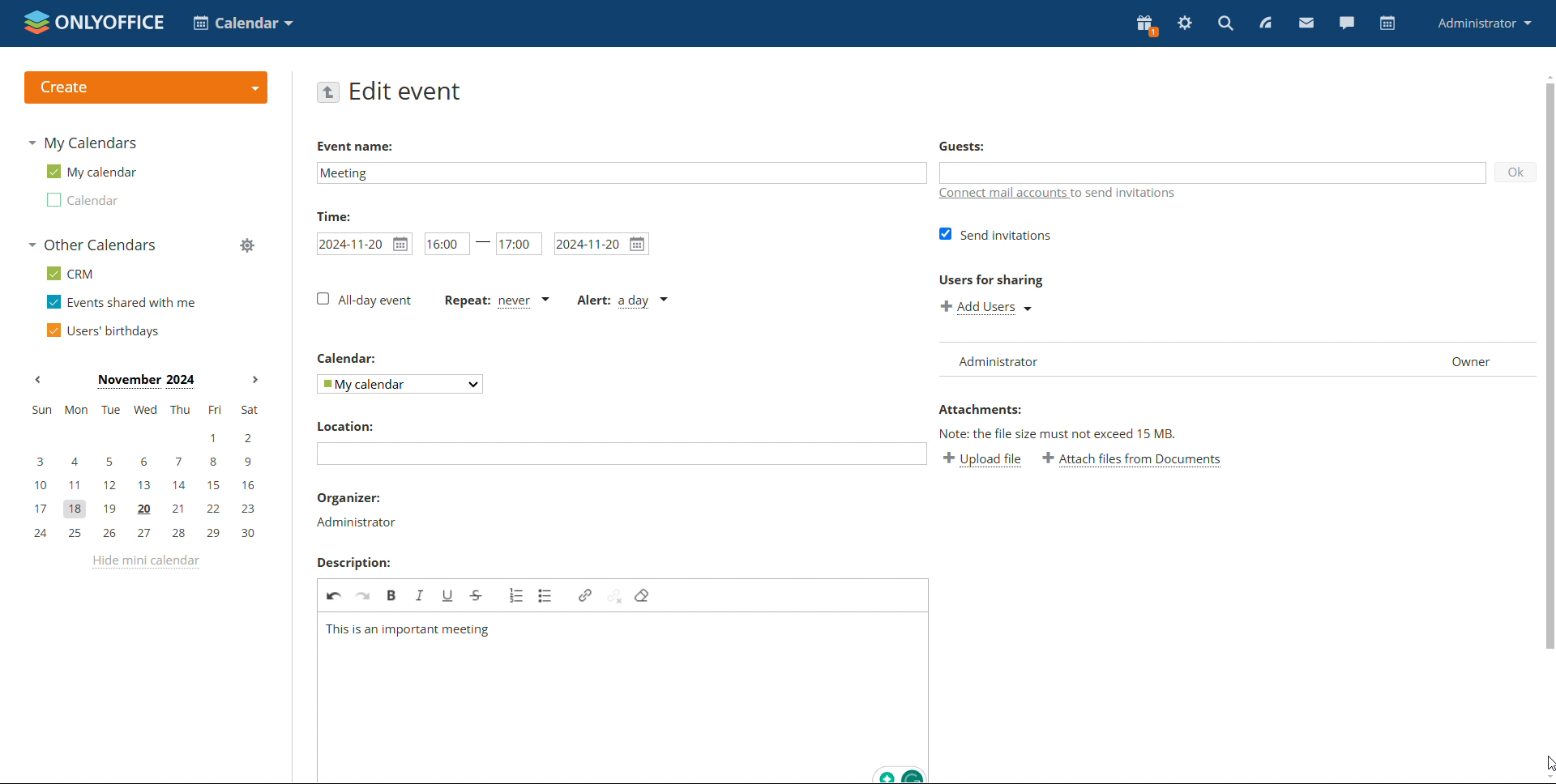  Describe the element at coordinates (400, 385) in the screenshot. I see `select calendar` at that location.